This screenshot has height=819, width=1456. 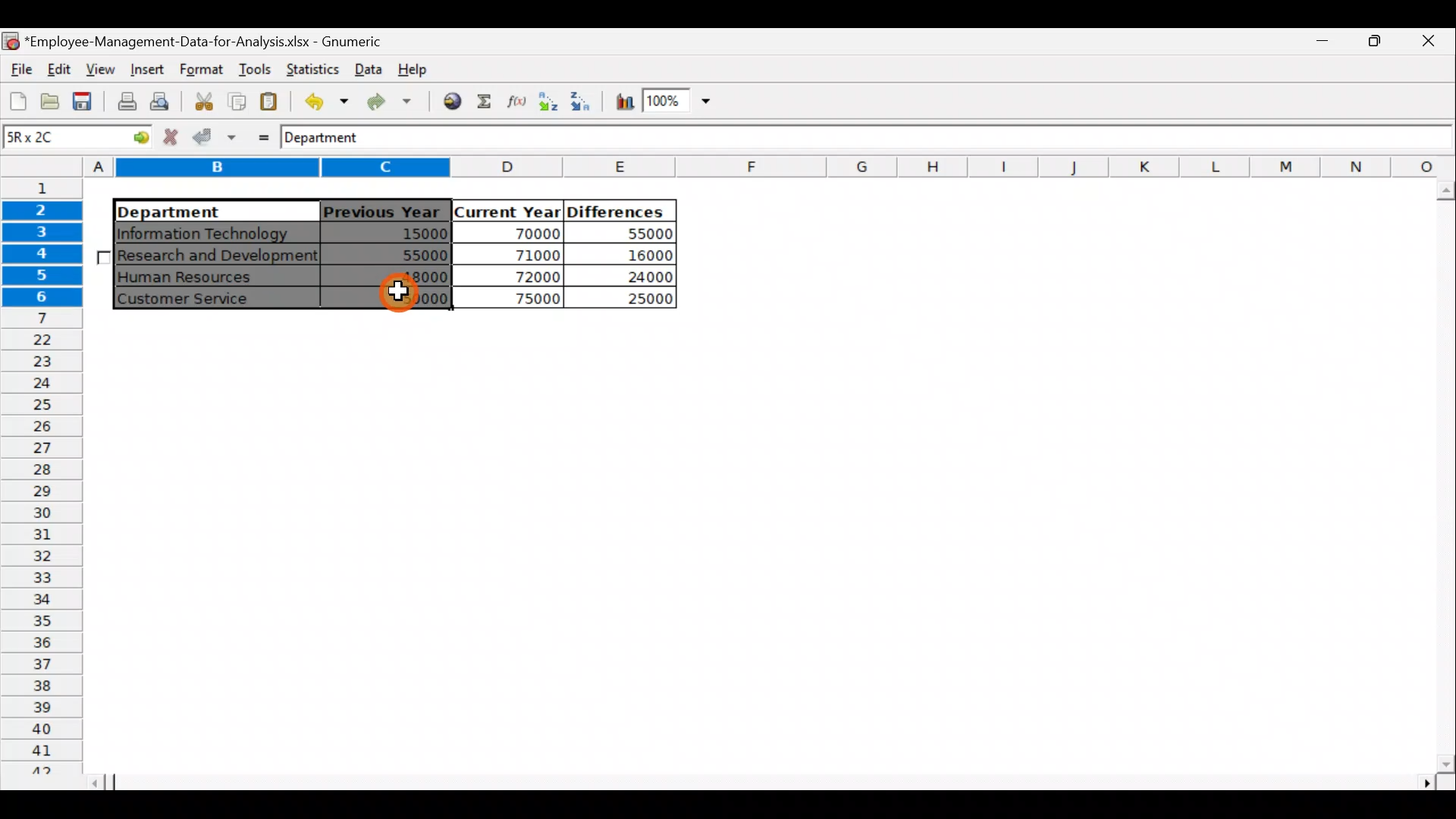 What do you see at coordinates (218, 257) in the screenshot?
I see `Research and Development` at bounding box center [218, 257].